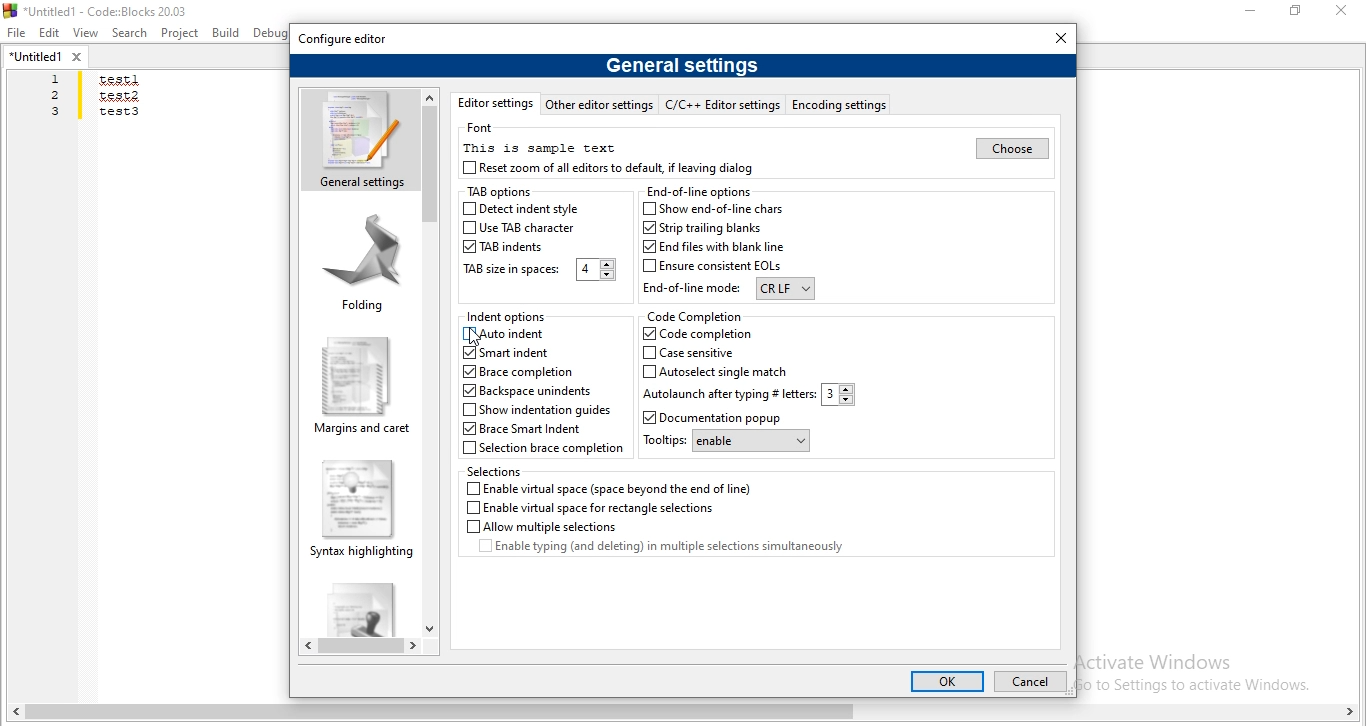 This screenshot has width=1366, height=726. Describe the element at coordinates (119, 116) in the screenshot. I see `test 3` at that location.